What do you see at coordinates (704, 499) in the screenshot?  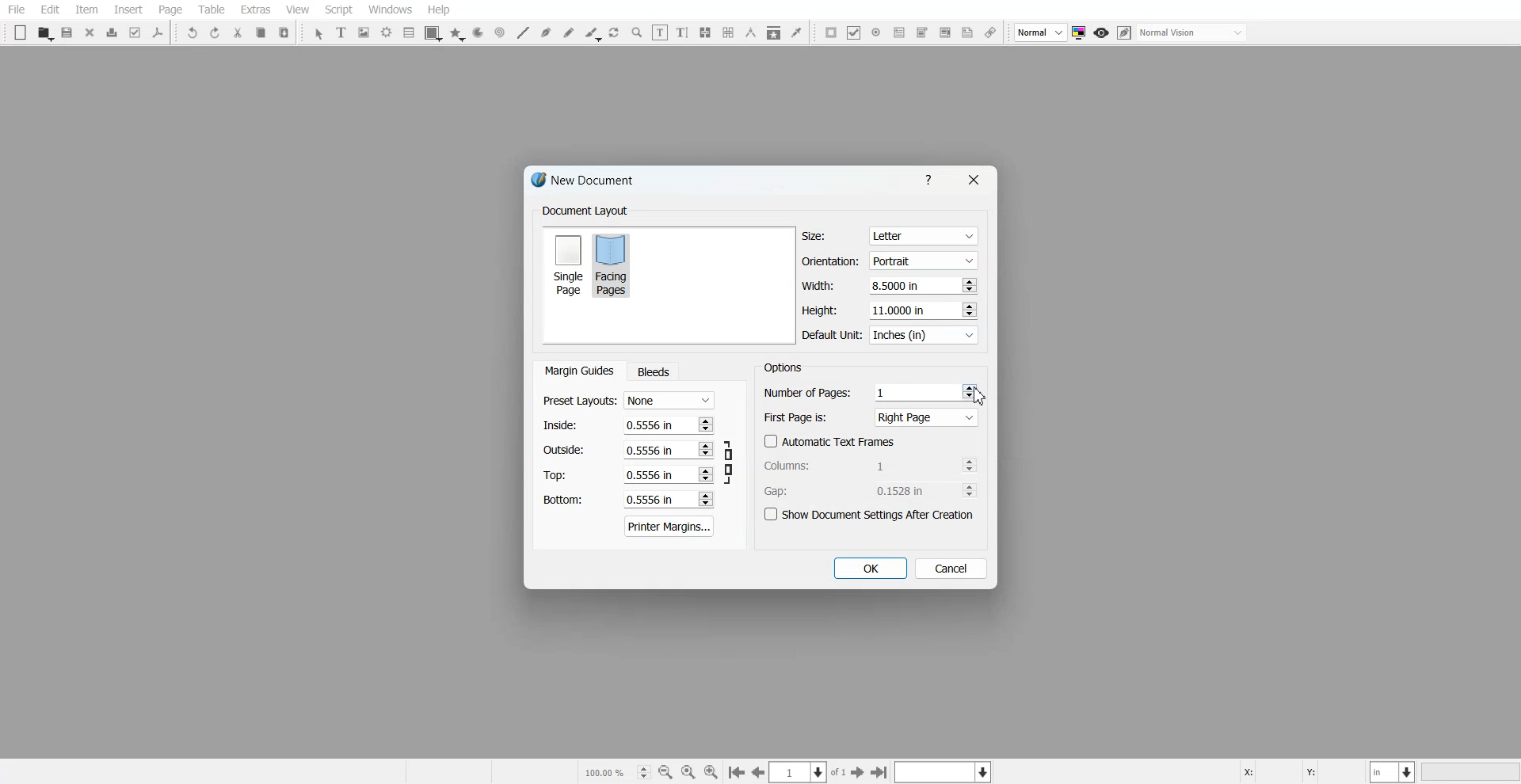 I see `Increase and decrease No. ` at bounding box center [704, 499].